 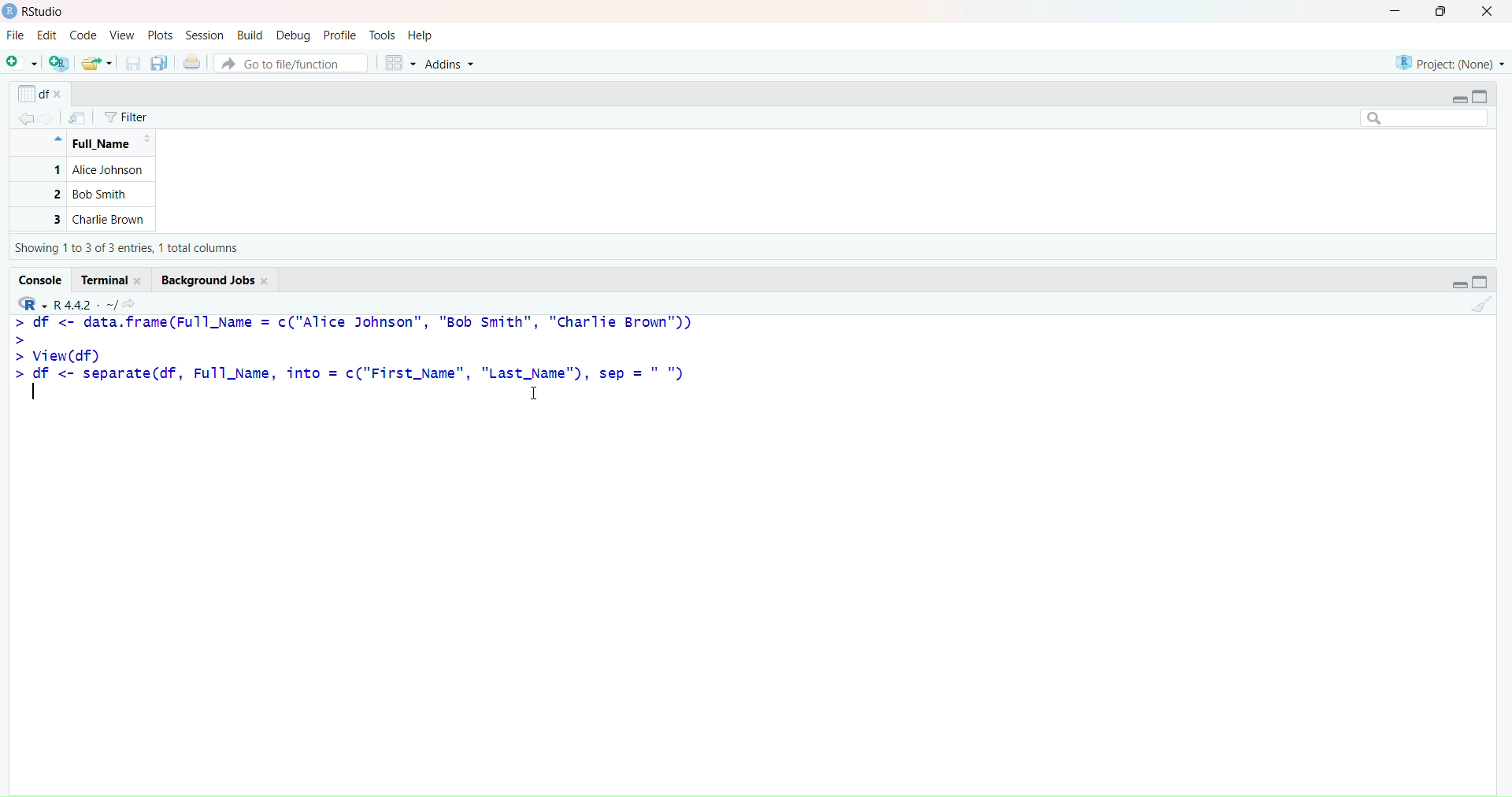 What do you see at coordinates (109, 145) in the screenshot?
I see `Full Name` at bounding box center [109, 145].